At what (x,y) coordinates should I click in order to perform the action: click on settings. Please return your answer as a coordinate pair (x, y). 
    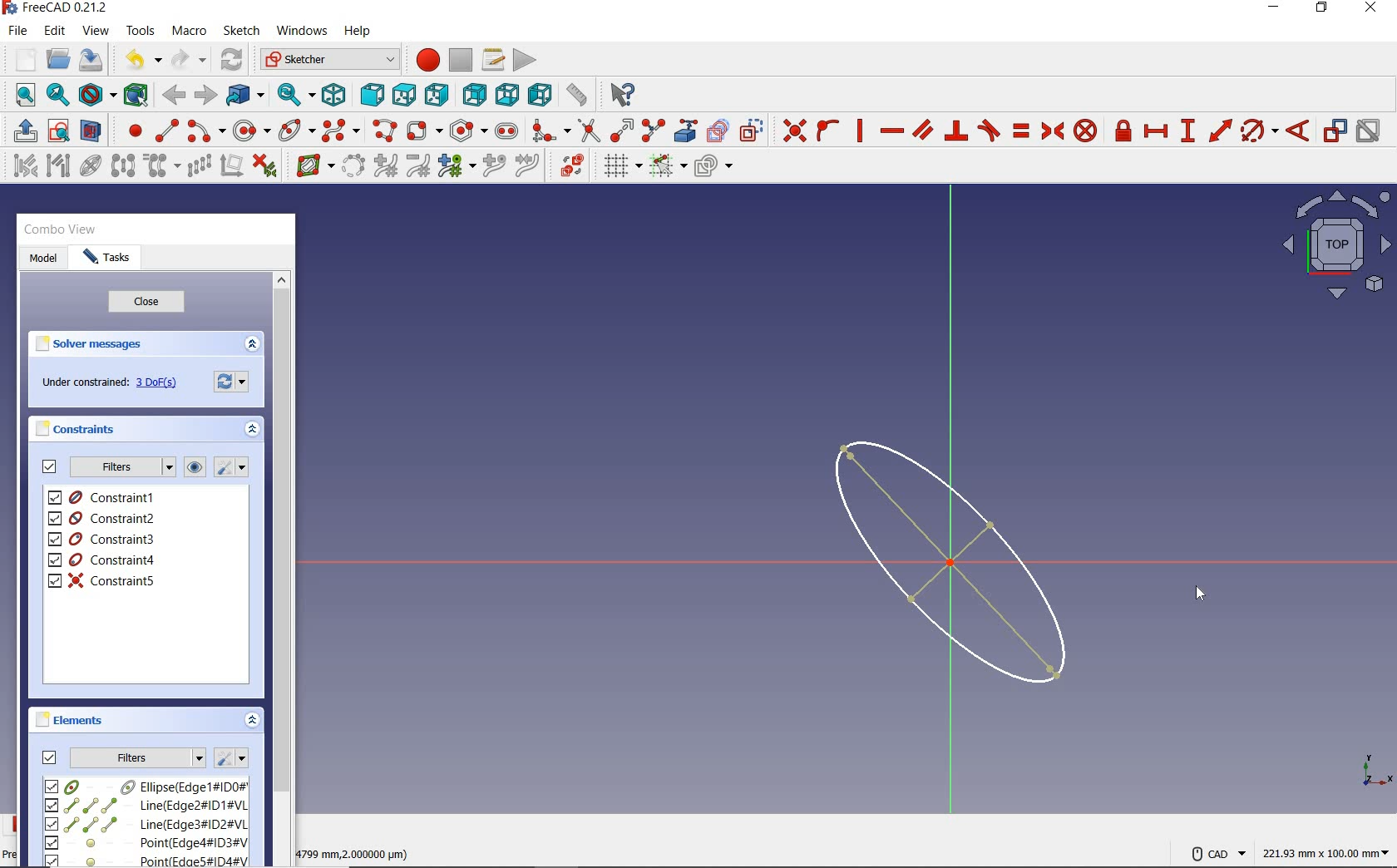
    Looking at the image, I should click on (230, 467).